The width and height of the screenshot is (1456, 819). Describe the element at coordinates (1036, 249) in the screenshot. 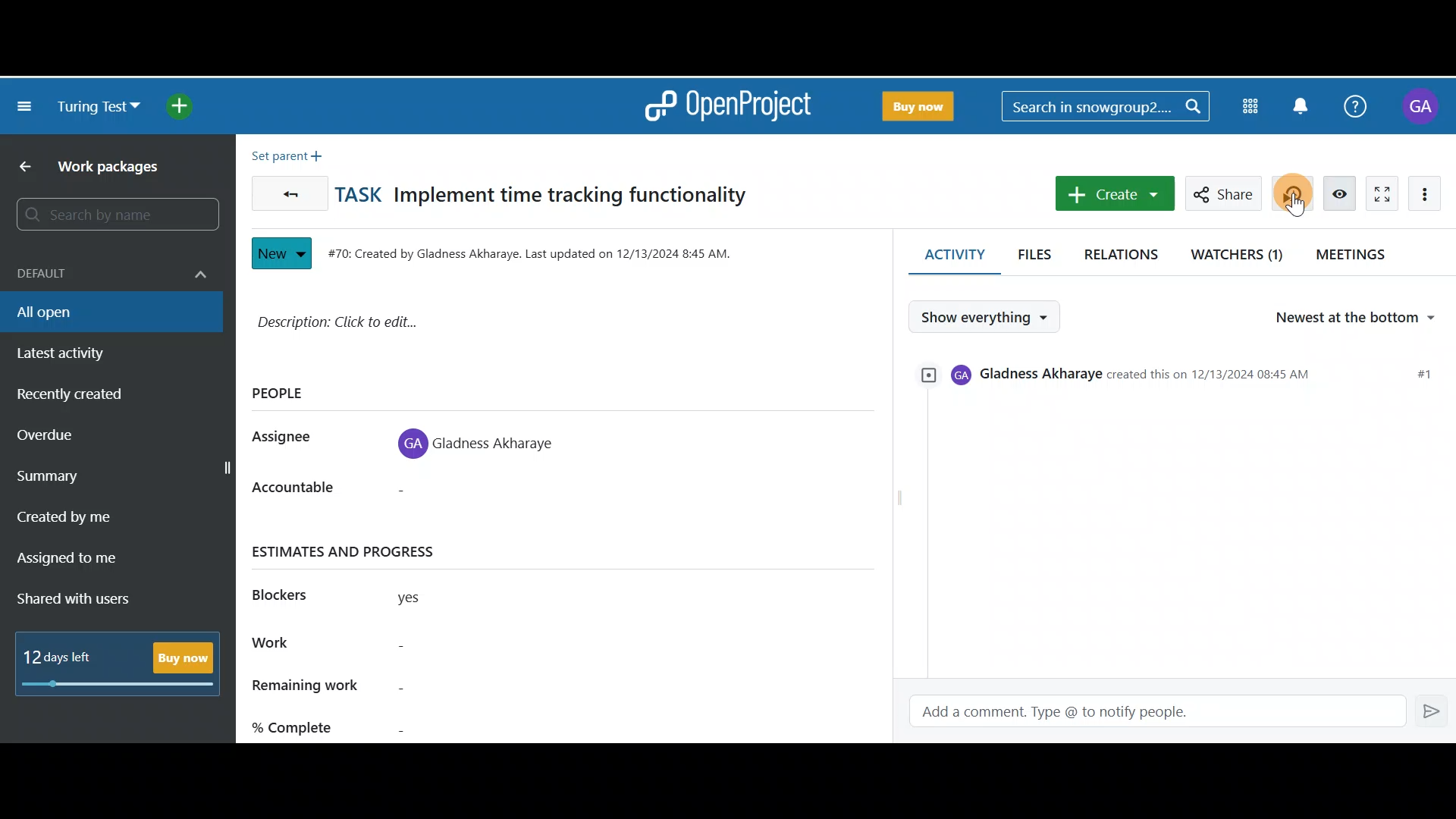

I see `Files` at that location.